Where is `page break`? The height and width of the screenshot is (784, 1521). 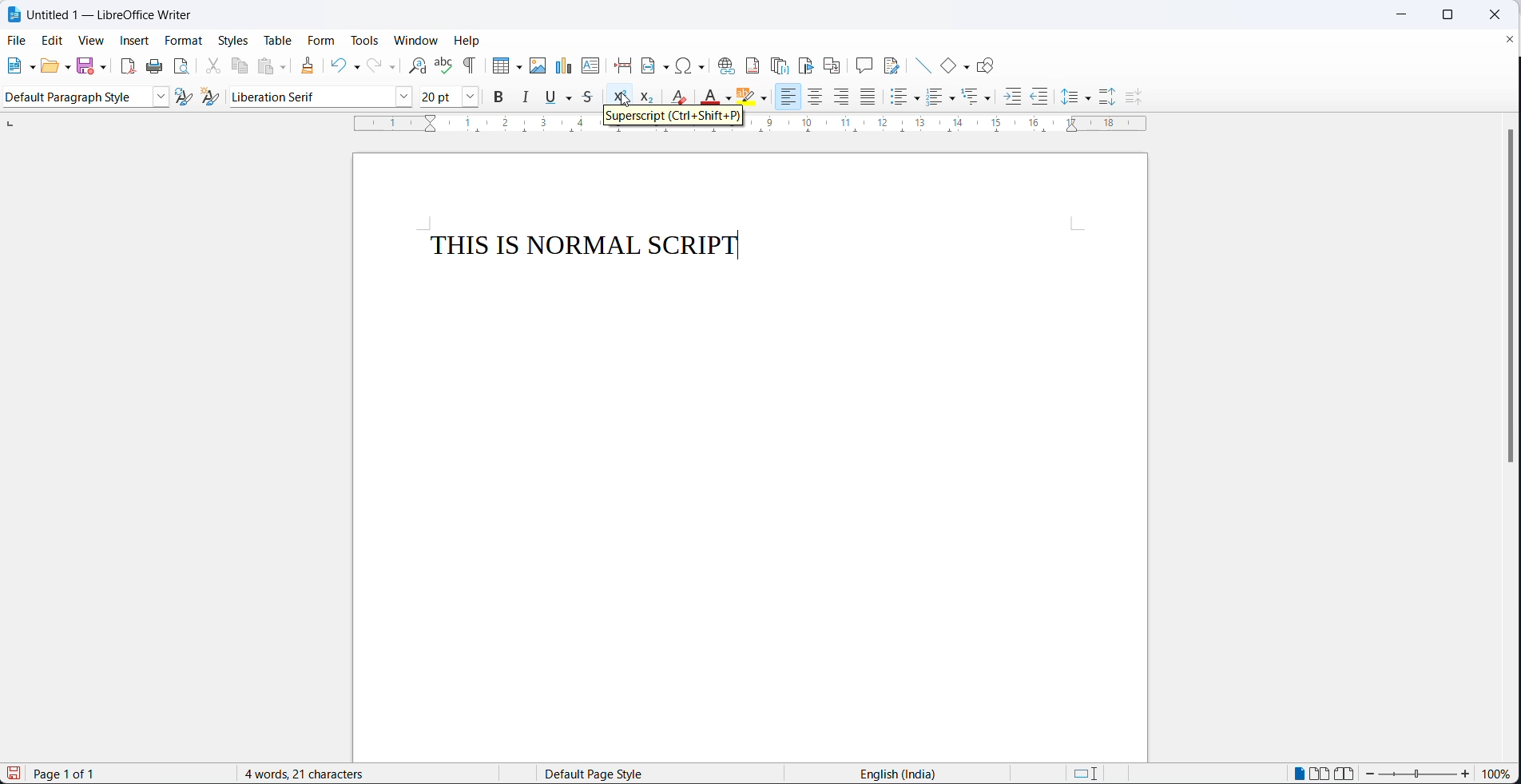 page break is located at coordinates (622, 63).